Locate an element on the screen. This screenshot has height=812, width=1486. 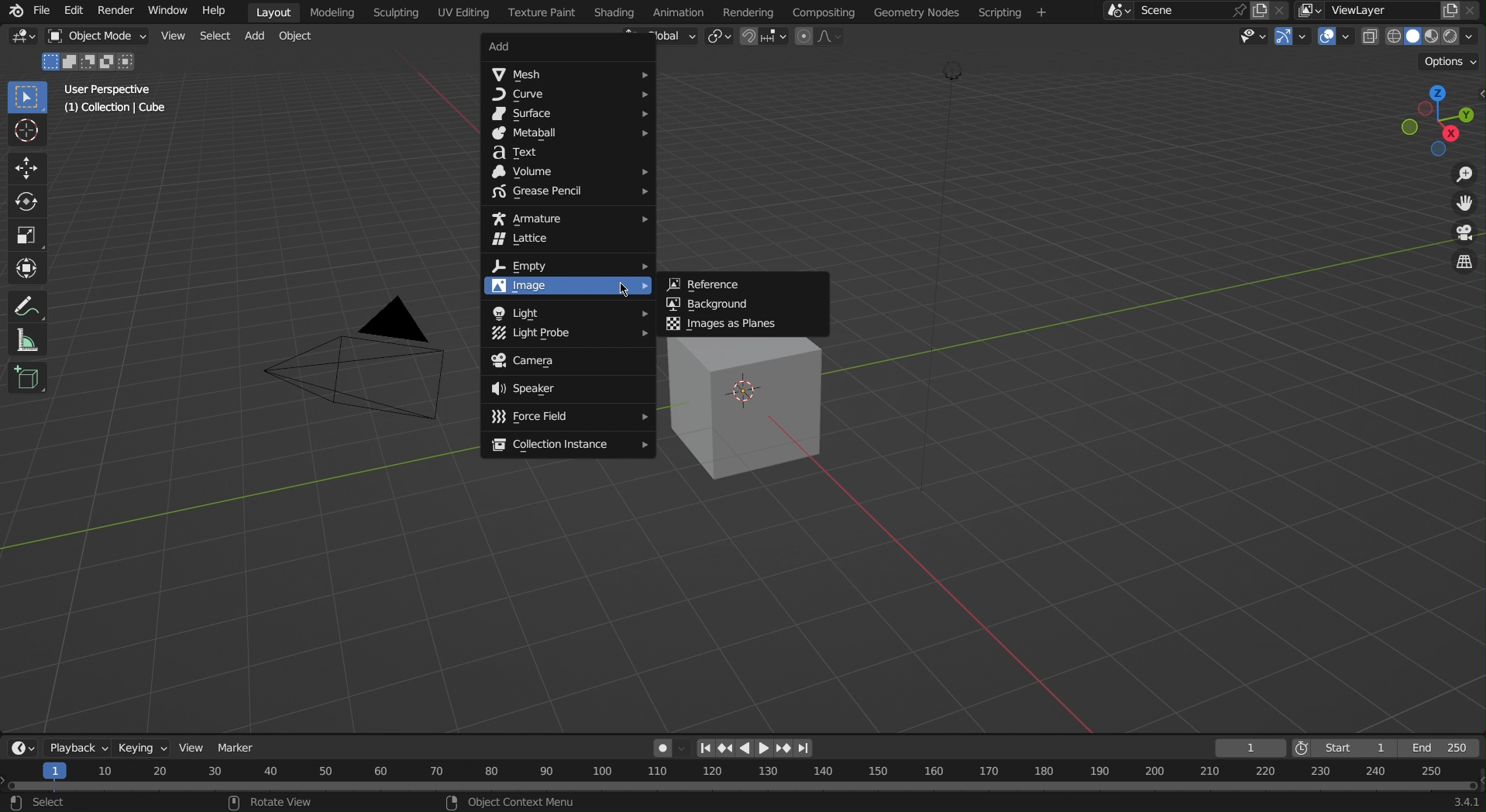
Select is located at coordinates (213, 37).